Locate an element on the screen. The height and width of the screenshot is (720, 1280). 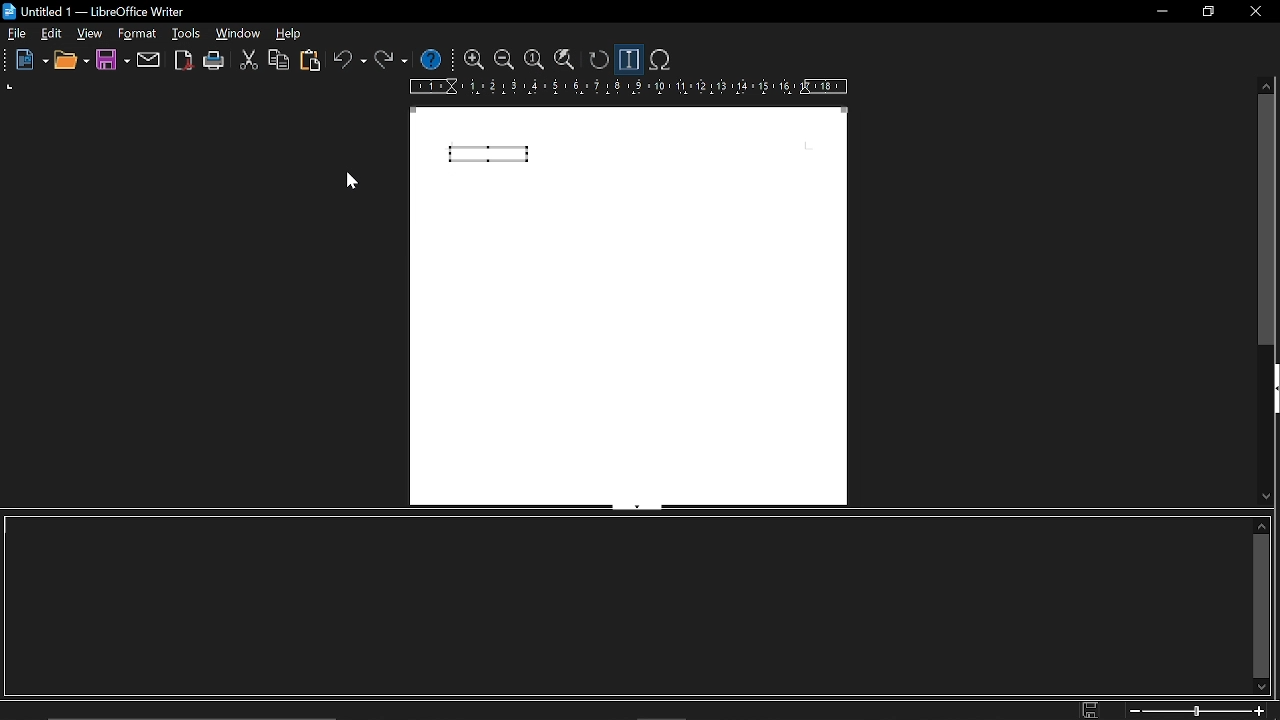
close current tab is located at coordinates (1269, 33).